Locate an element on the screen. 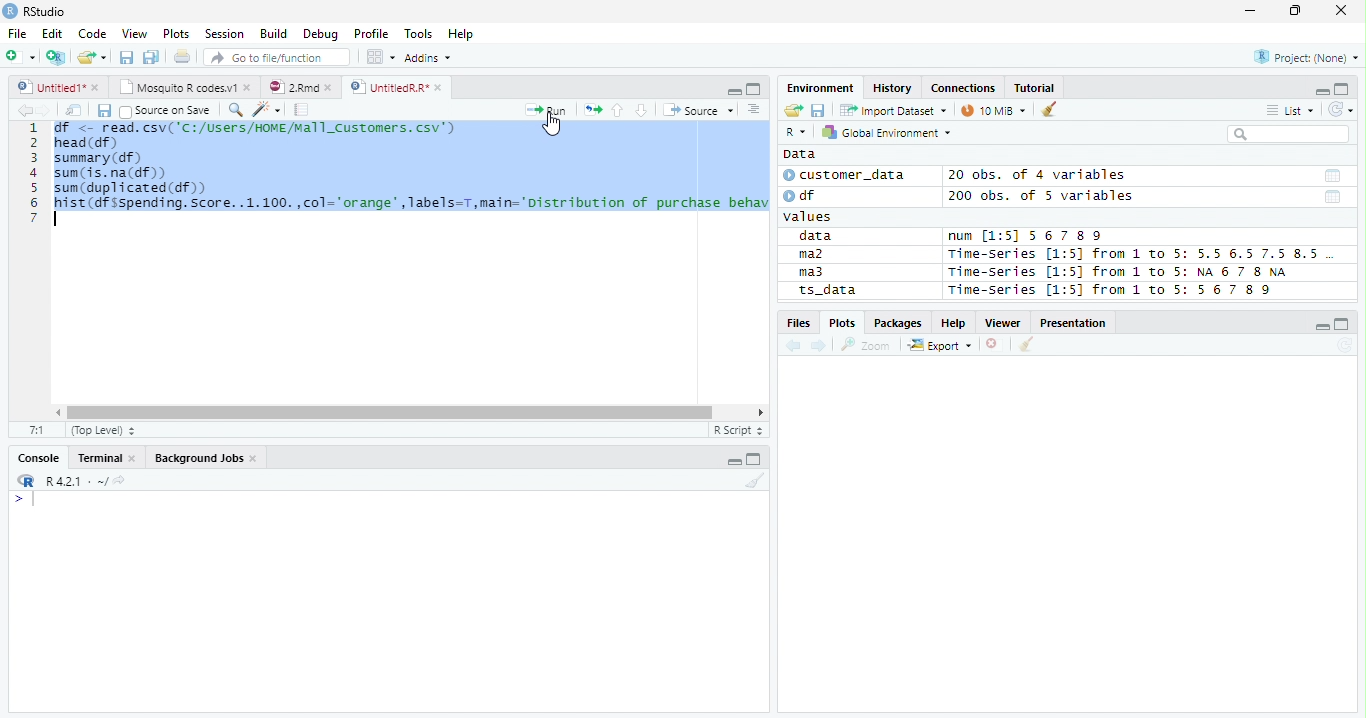  Mosquito T codes.v1 is located at coordinates (185, 88).